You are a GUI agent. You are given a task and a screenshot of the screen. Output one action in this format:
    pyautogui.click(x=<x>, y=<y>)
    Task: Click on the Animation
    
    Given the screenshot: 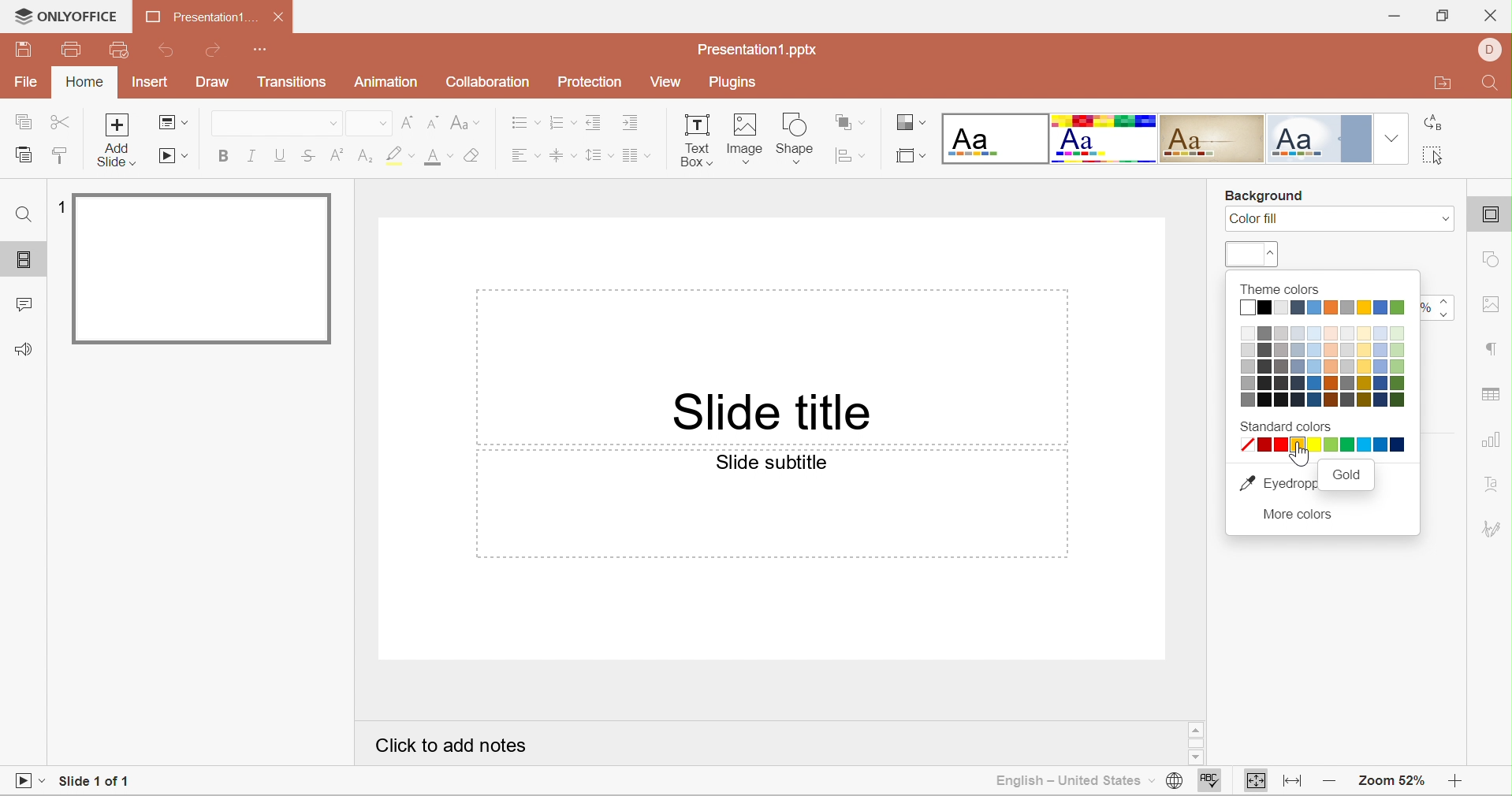 What is the action you would take?
    pyautogui.click(x=390, y=84)
    